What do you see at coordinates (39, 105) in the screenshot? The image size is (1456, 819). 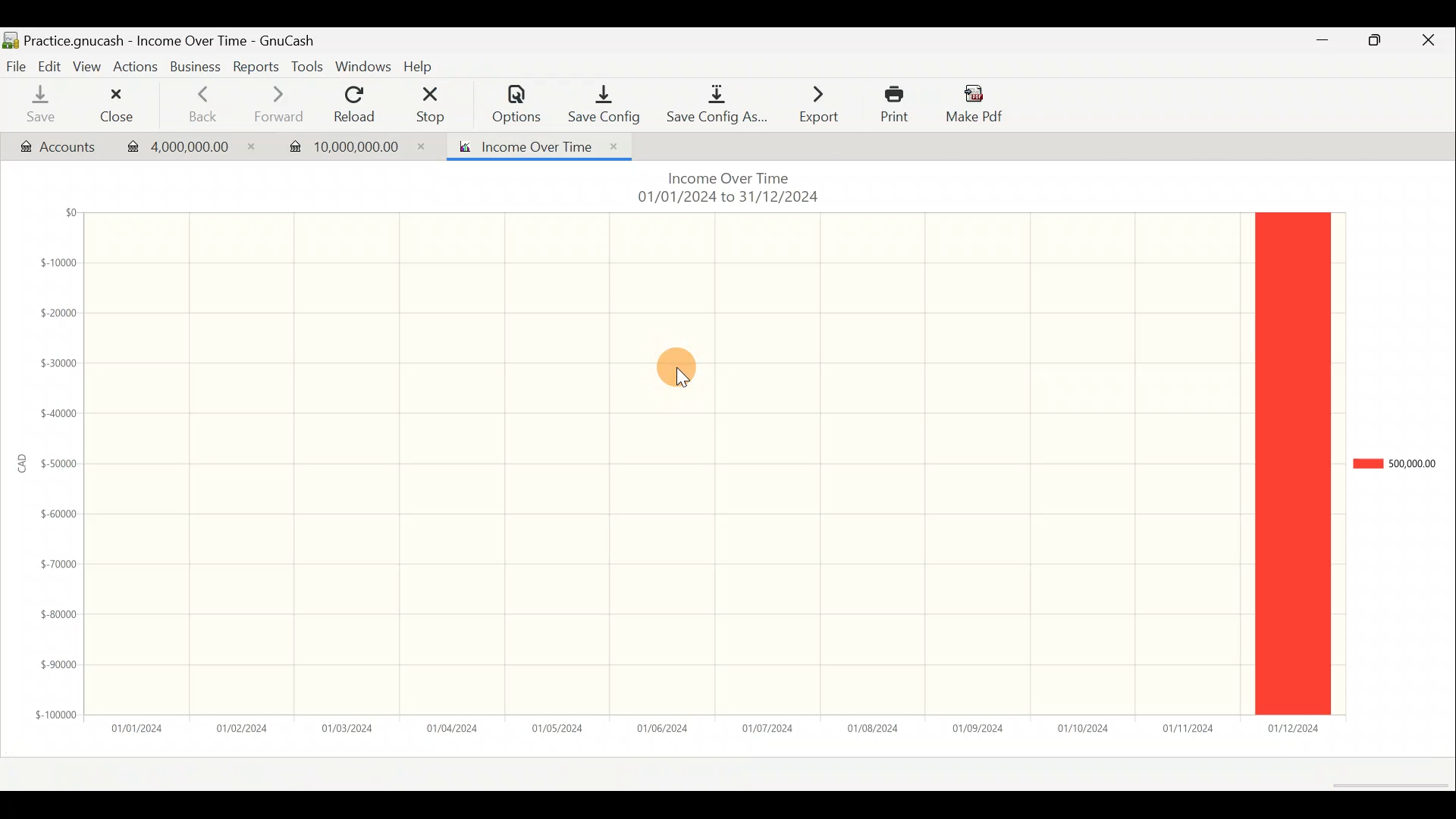 I see `Save` at bounding box center [39, 105].